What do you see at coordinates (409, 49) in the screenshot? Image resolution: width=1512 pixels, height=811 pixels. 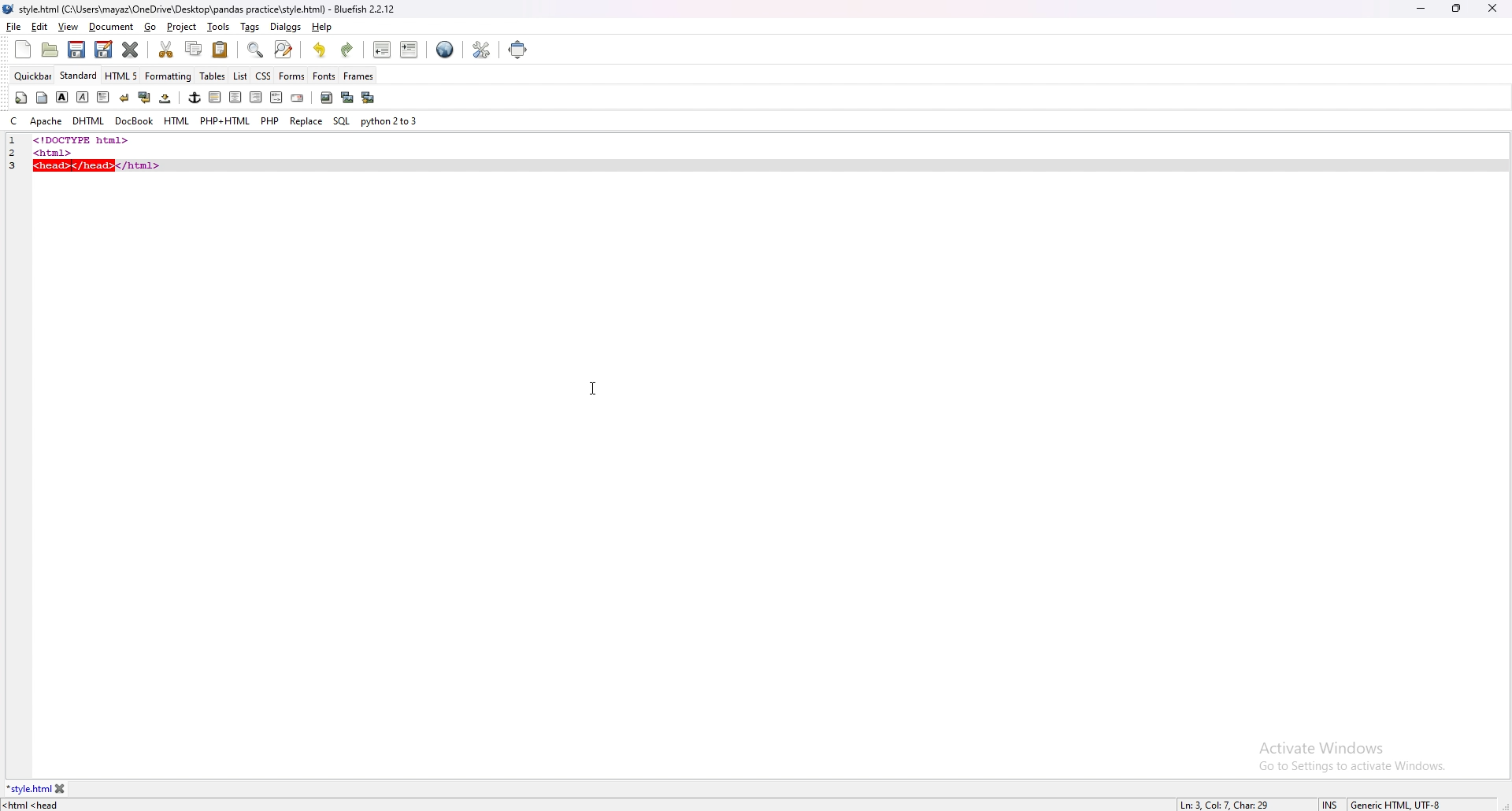 I see `indent` at bounding box center [409, 49].